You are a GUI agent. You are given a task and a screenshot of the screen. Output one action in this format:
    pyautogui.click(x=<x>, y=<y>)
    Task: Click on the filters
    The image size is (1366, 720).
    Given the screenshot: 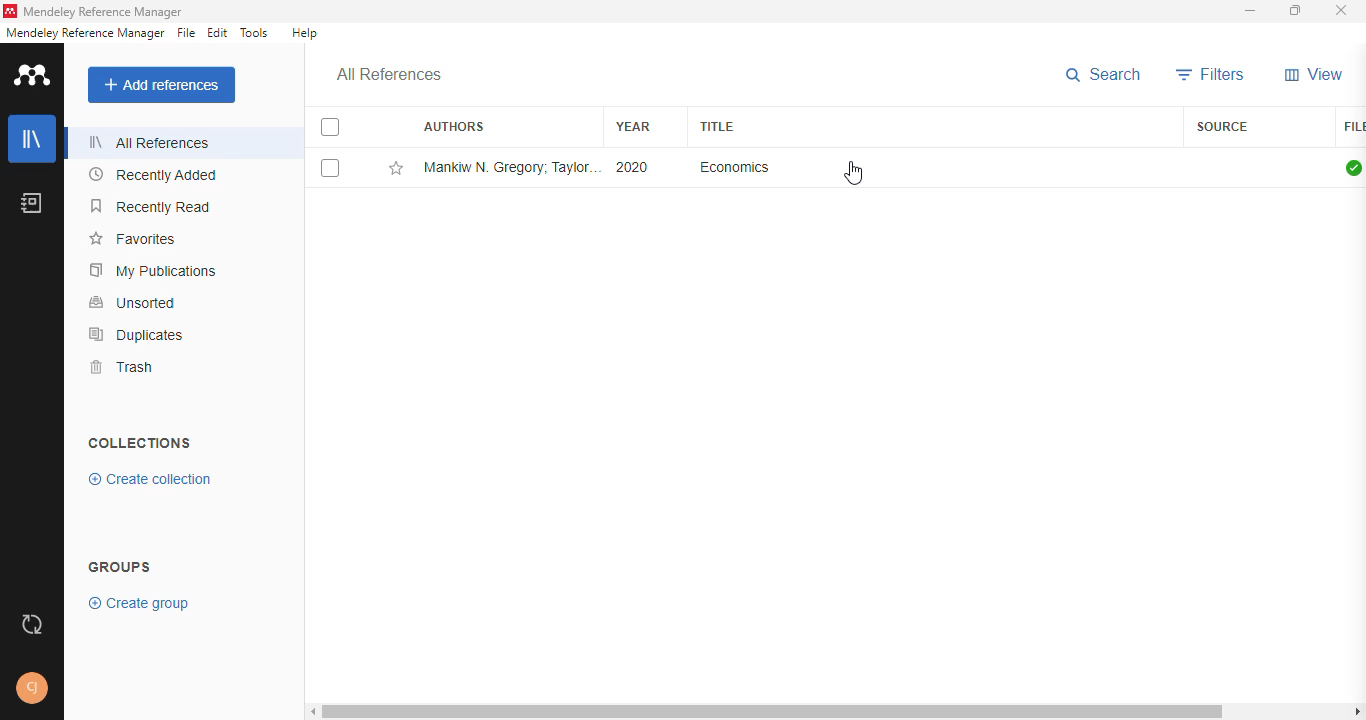 What is the action you would take?
    pyautogui.click(x=1213, y=75)
    